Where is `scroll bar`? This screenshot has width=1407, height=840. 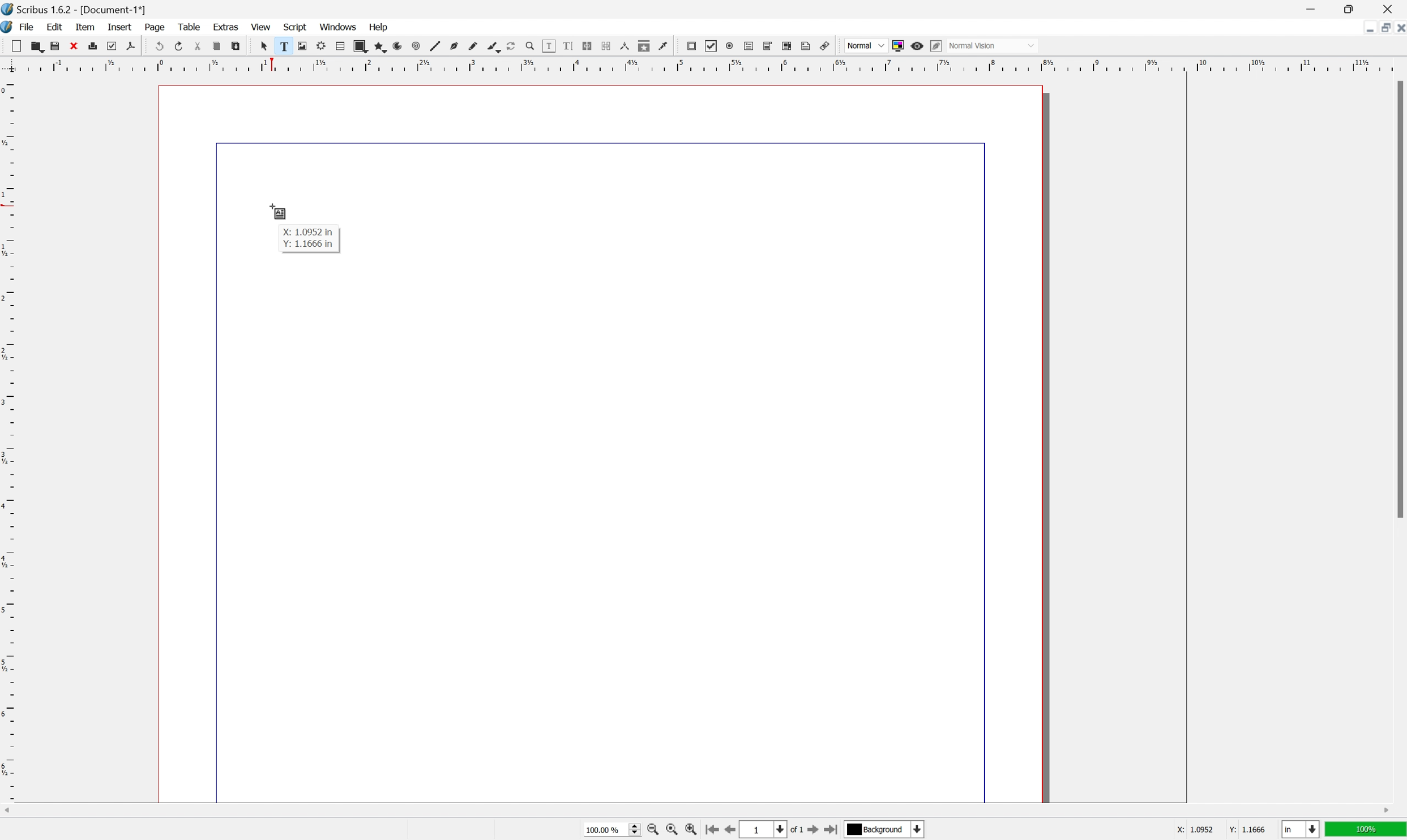
scroll bar is located at coordinates (1398, 299).